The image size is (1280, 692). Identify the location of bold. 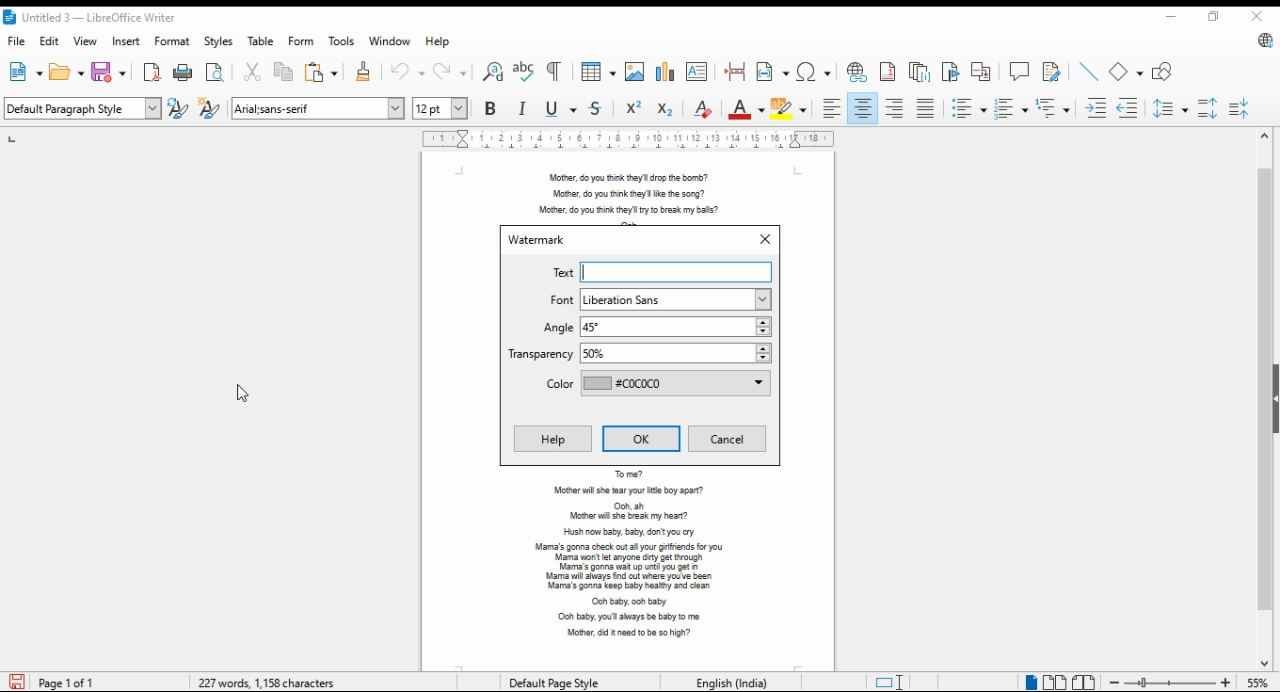
(493, 108).